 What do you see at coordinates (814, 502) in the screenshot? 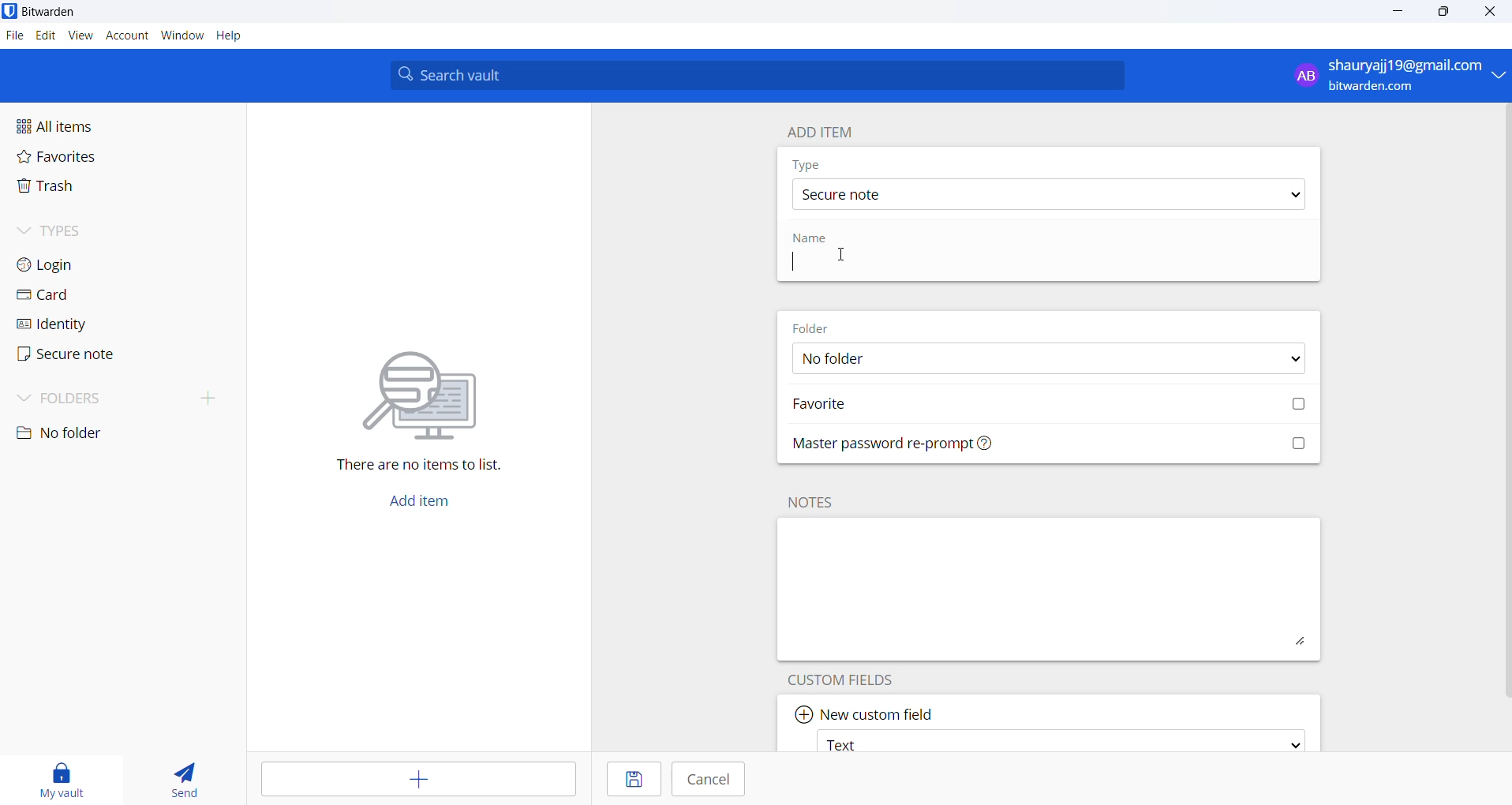
I see `notes heading` at bounding box center [814, 502].